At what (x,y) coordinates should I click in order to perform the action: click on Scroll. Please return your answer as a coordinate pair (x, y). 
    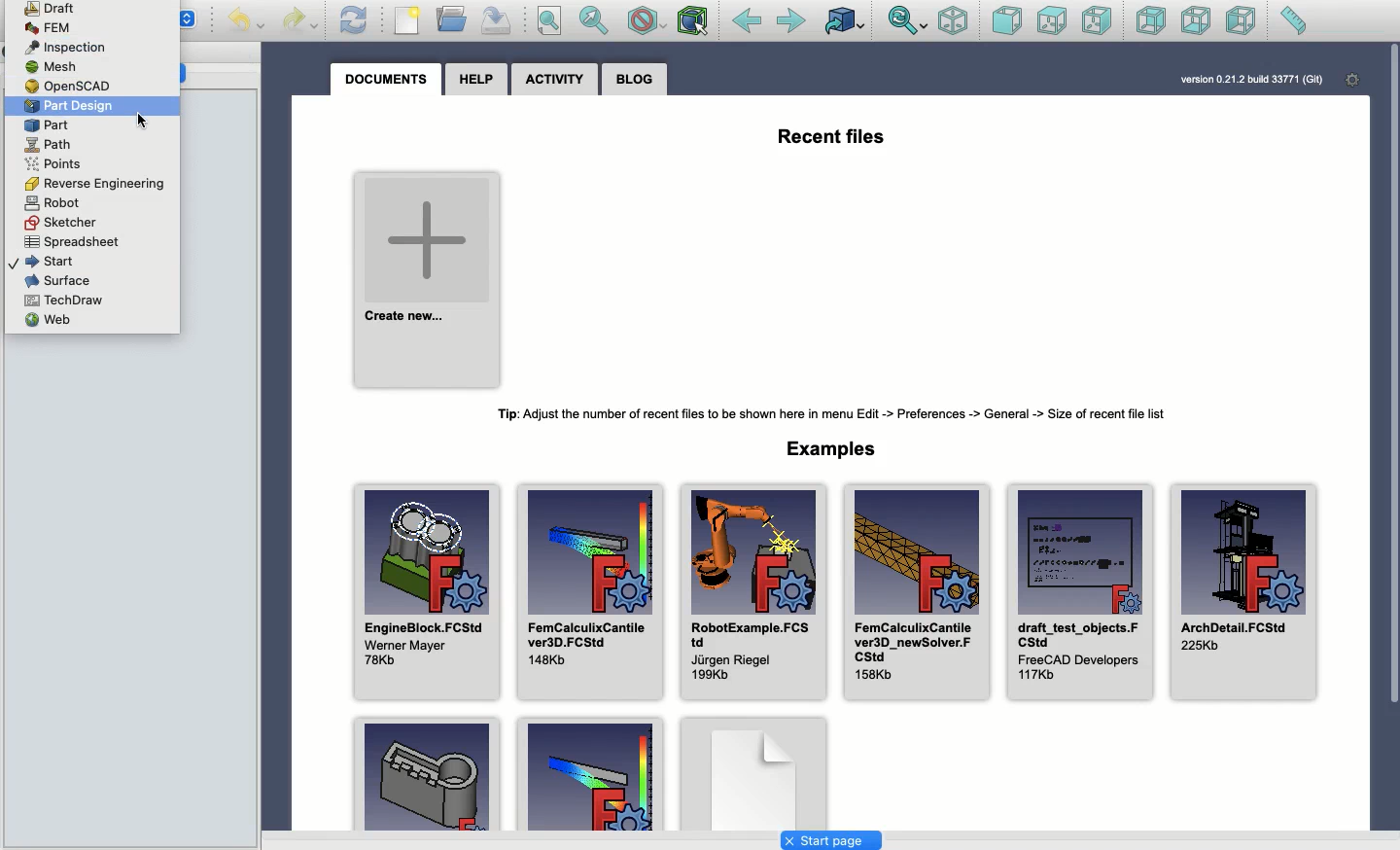
    Looking at the image, I should click on (1391, 437).